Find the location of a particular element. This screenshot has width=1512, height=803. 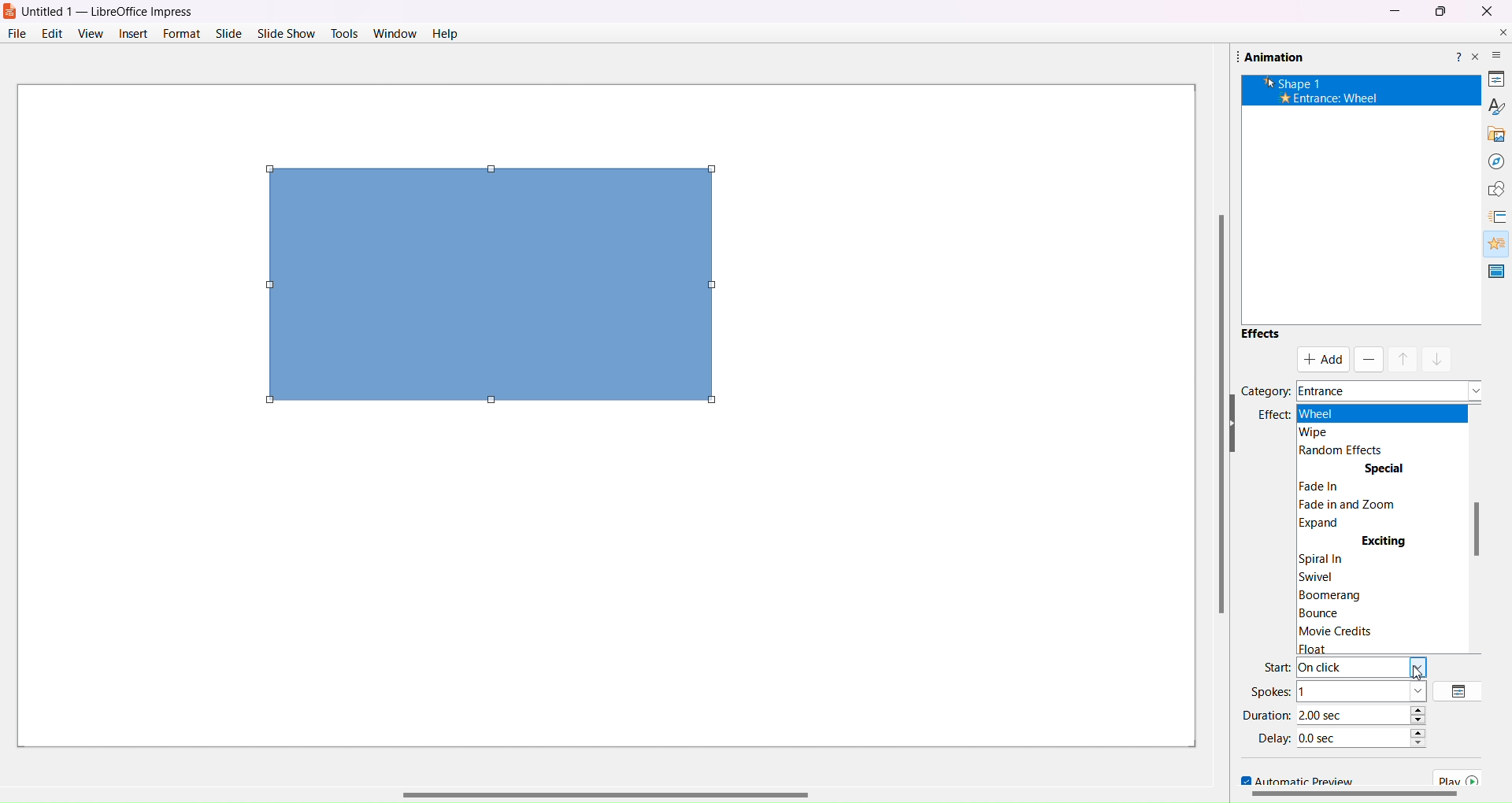

x Shape 1
+ Entrance: Wheel is located at coordinates (1339, 92).